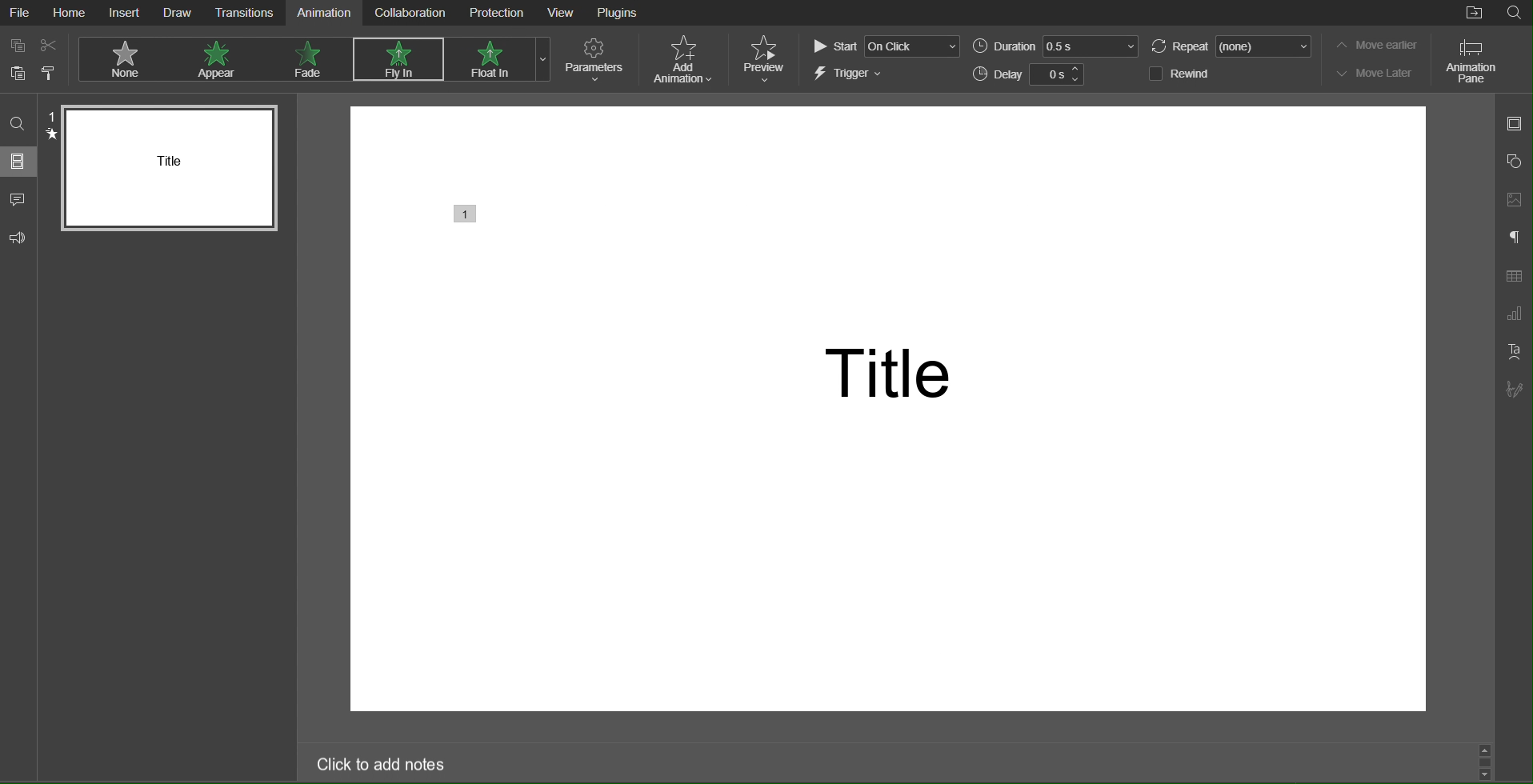 The width and height of the screenshot is (1533, 784). I want to click on Shape Settings, so click(1515, 160).